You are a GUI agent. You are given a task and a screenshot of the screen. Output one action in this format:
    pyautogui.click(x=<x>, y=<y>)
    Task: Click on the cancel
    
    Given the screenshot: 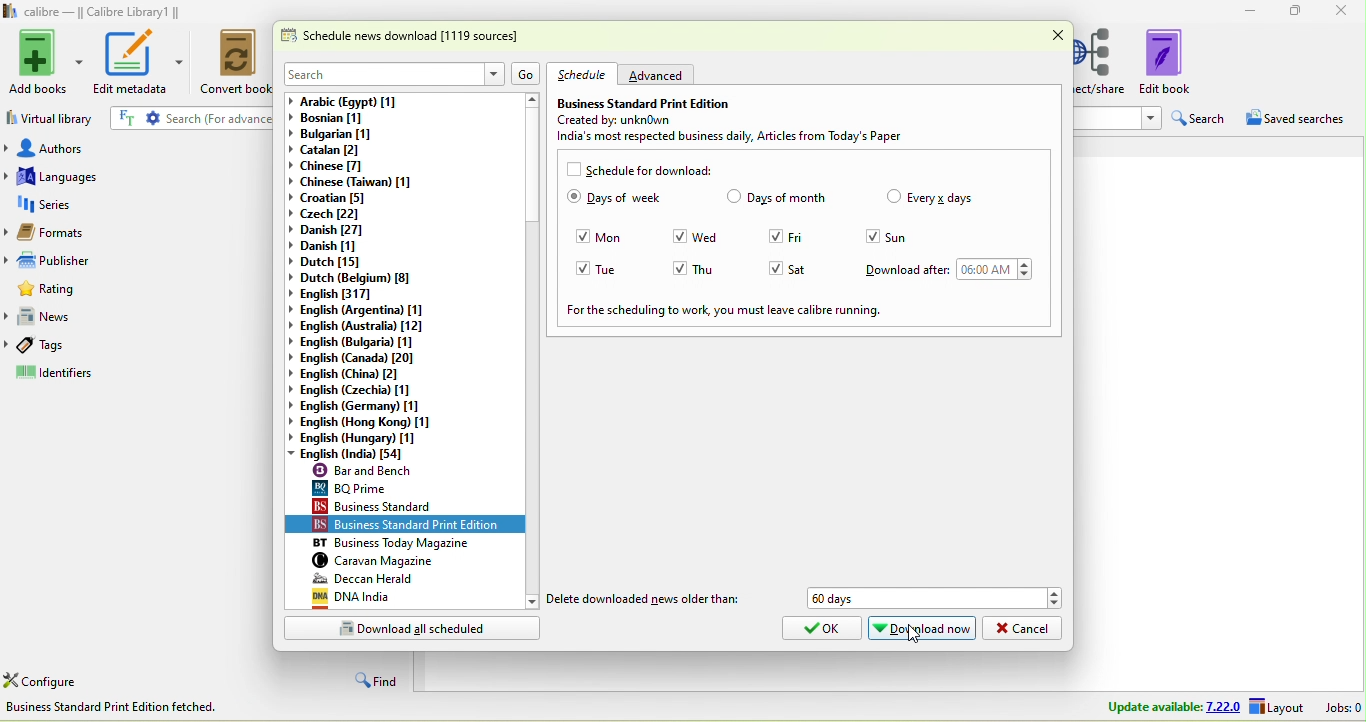 What is the action you would take?
    pyautogui.click(x=1025, y=628)
    